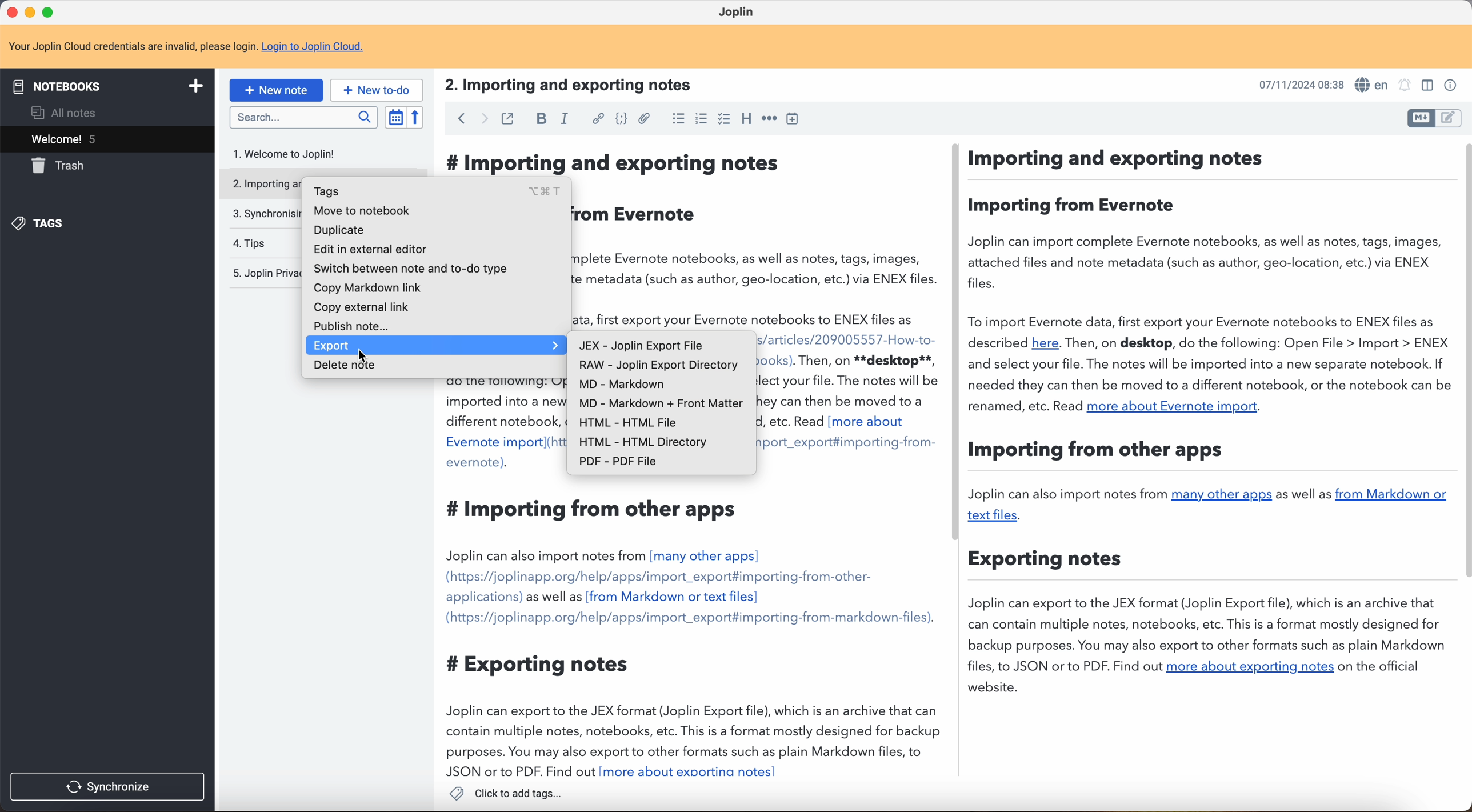 Image resolution: width=1472 pixels, height=812 pixels. What do you see at coordinates (49, 11) in the screenshot?
I see `maximize` at bounding box center [49, 11].